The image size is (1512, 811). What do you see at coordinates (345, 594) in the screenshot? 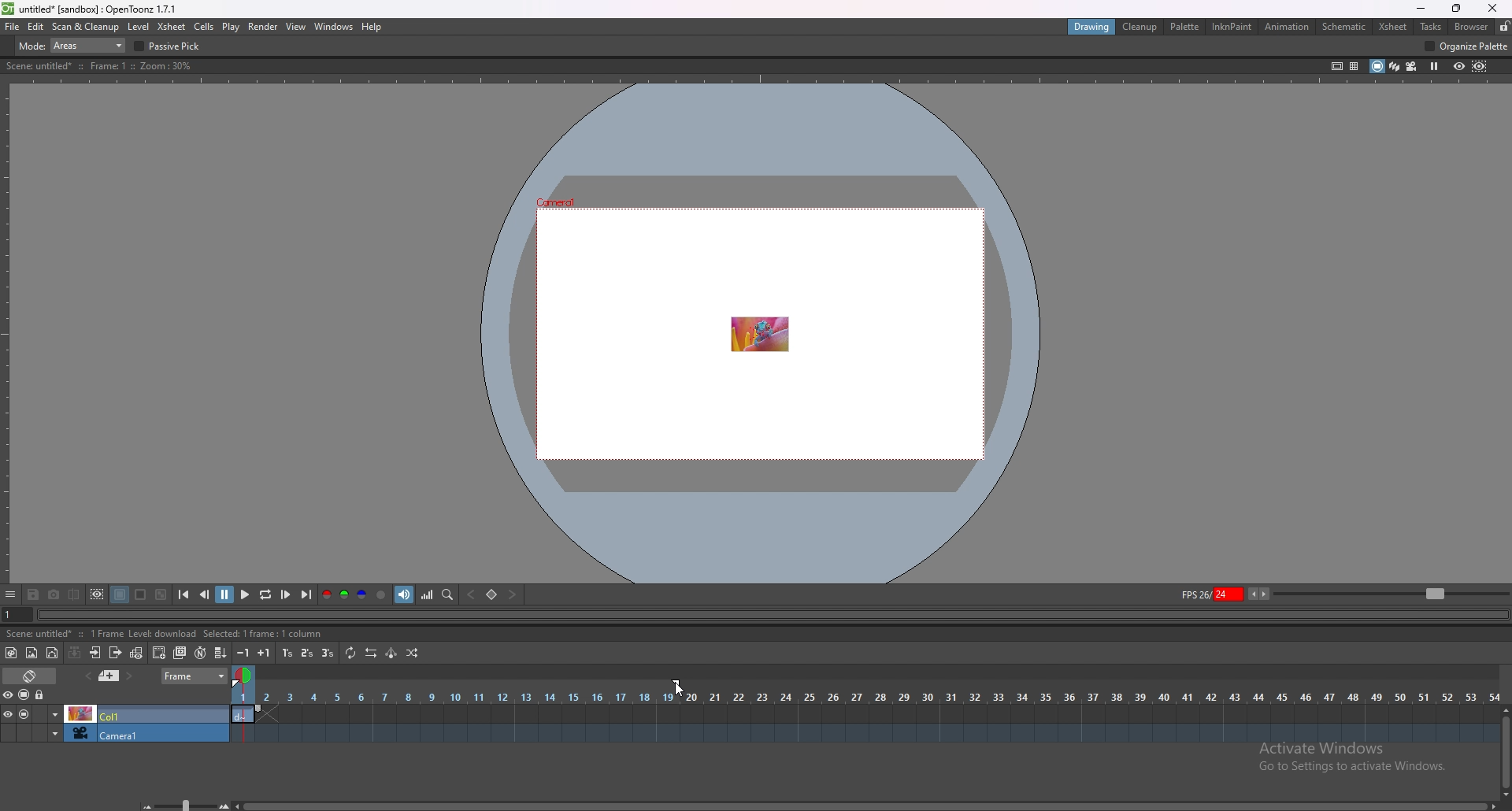
I see `green channel` at bounding box center [345, 594].